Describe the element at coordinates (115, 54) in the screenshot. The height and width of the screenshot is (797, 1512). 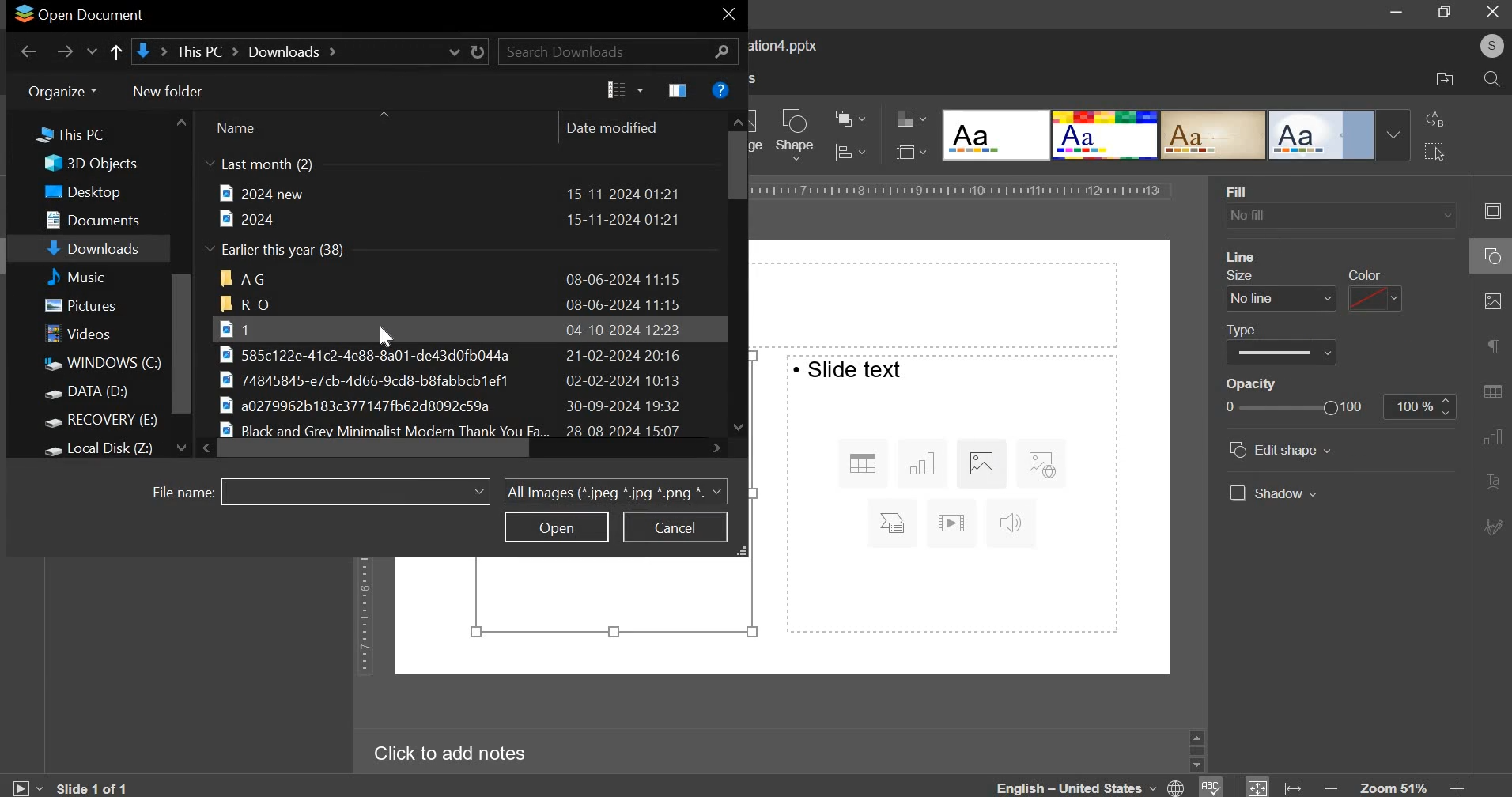
I see `up to` at that location.